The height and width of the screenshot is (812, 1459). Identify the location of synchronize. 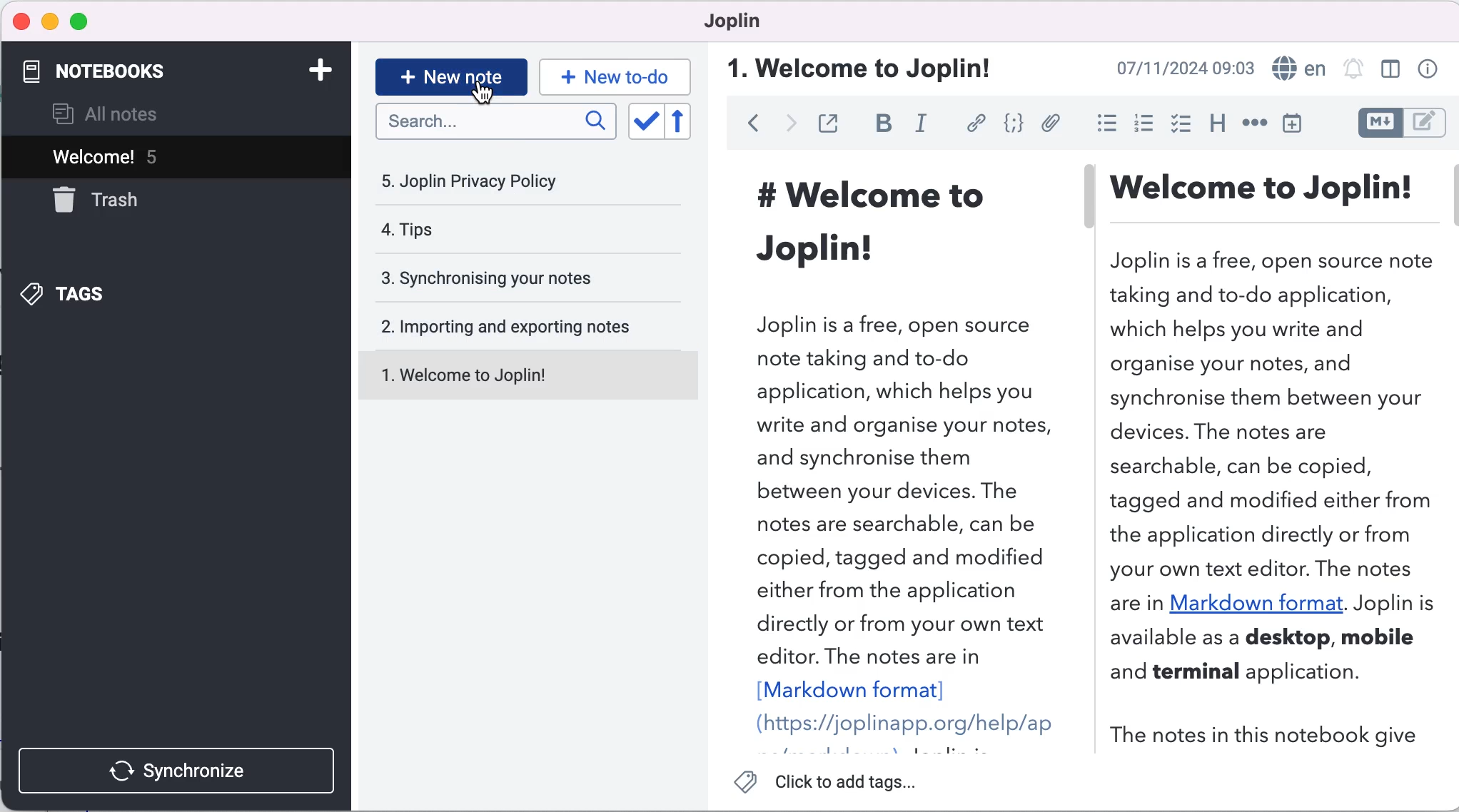
(180, 767).